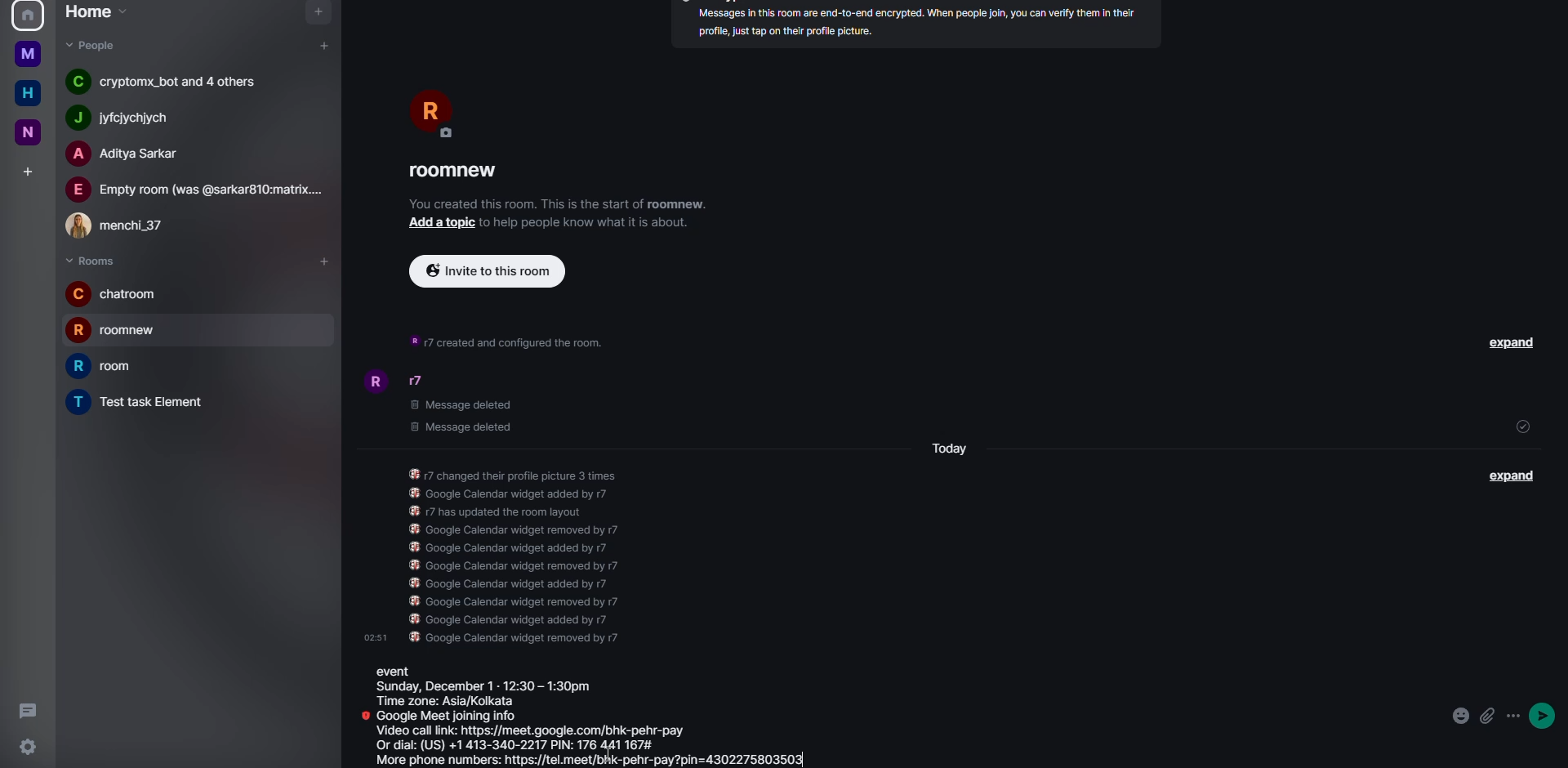 Image resolution: width=1568 pixels, height=768 pixels. Describe the element at coordinates (595, 716) in the screenshot. I see `event` at that location.